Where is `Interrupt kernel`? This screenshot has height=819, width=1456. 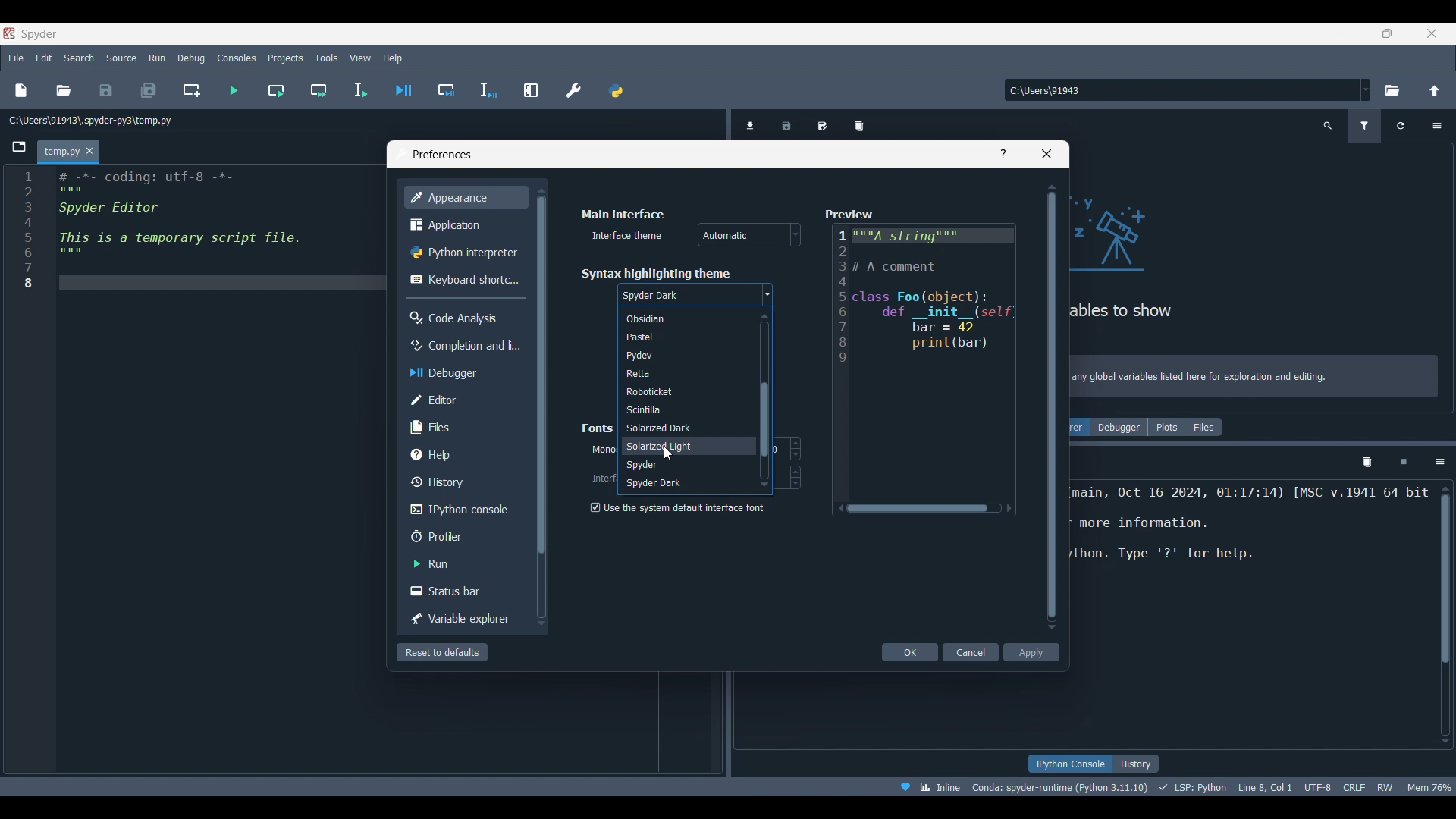
Interrupt kernel is located at coordinates (1404, 463).